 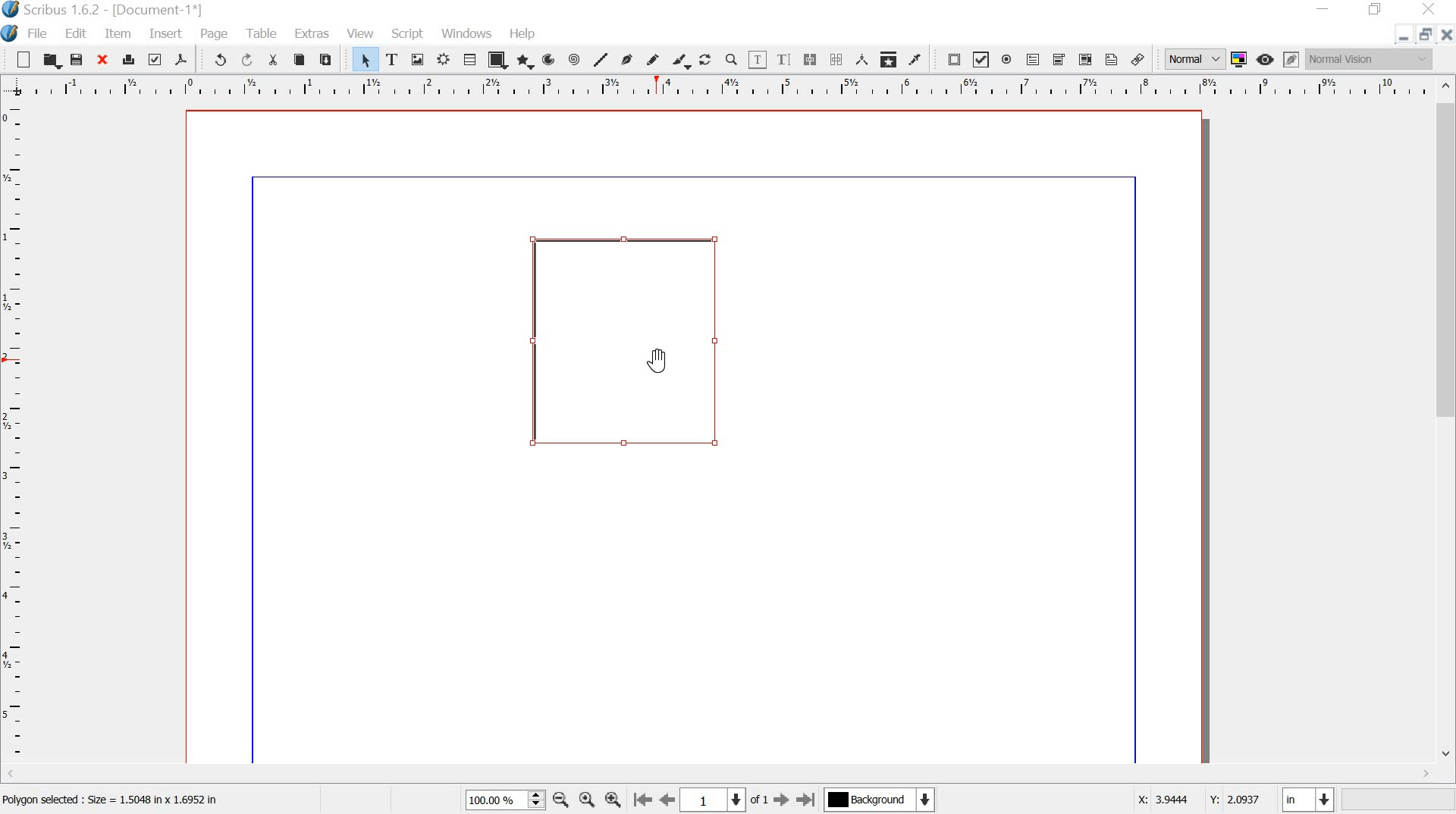 What do you see at coordinates (215, 58) in the screenshot?
I see `undo` at bounding box center [215, 58].